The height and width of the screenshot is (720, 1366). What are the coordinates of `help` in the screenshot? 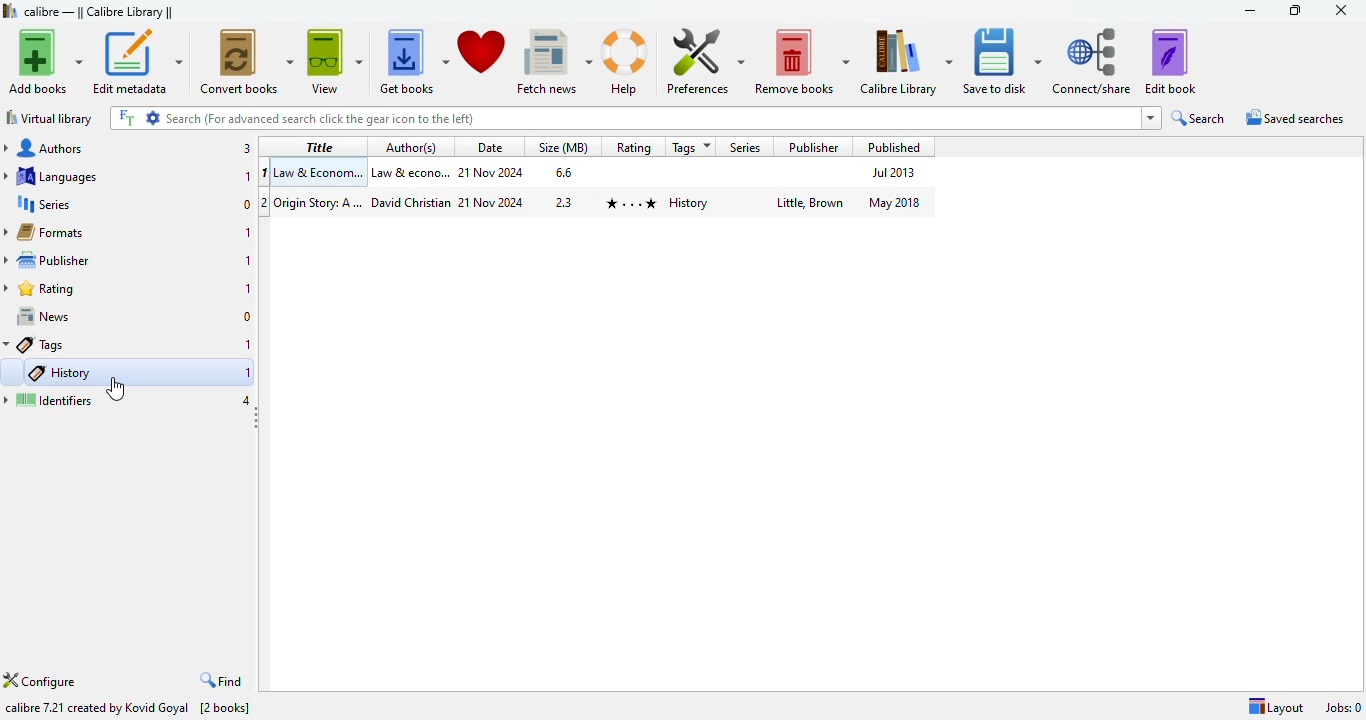 It's located at (624, 61).